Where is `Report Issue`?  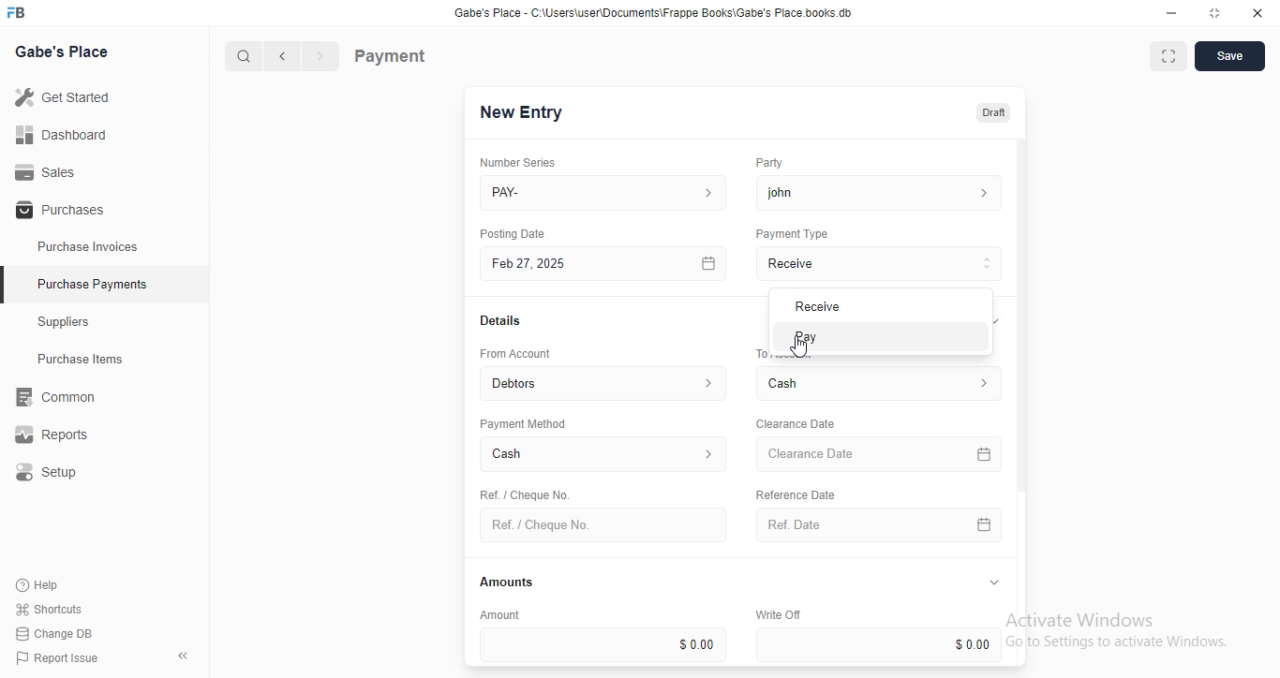 Report Issue is located at coordinates (52, 658).